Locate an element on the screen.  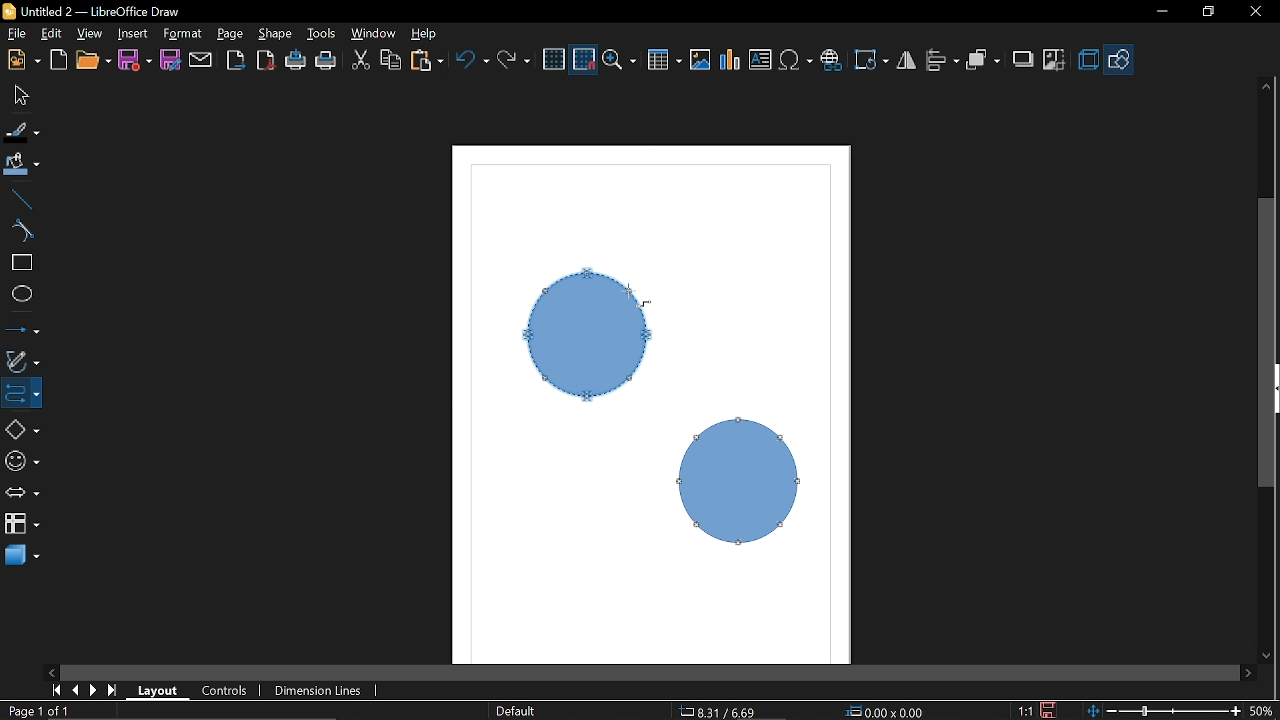
Vertcal scrollbar is located at coordinates (1268, 346).